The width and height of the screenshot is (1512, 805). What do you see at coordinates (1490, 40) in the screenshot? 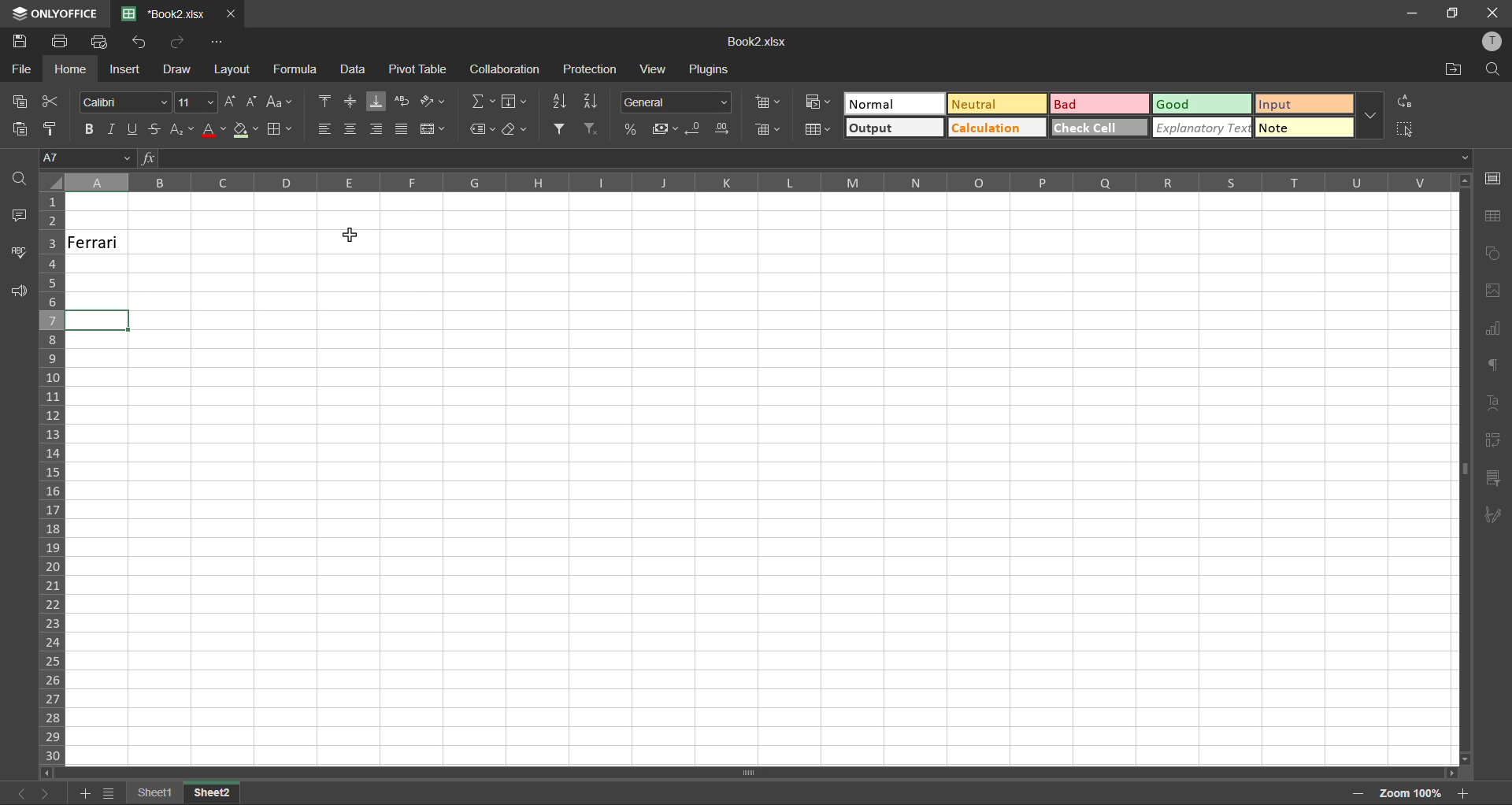
I see `profile` at bounding box center [1490, 40].